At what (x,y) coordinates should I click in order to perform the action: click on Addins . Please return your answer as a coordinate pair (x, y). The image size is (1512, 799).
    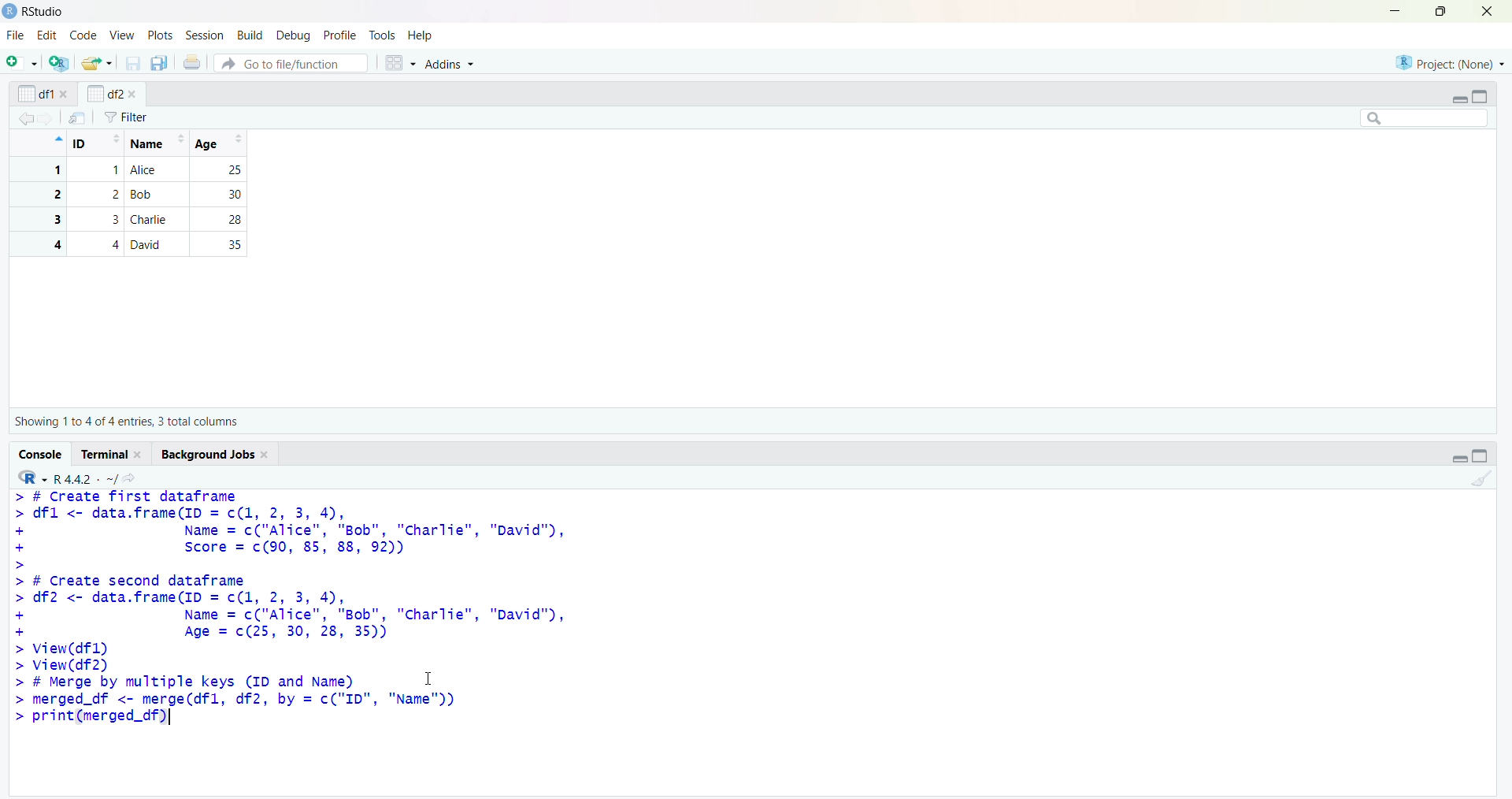
    Looking at the image, I should click on (448, 63).